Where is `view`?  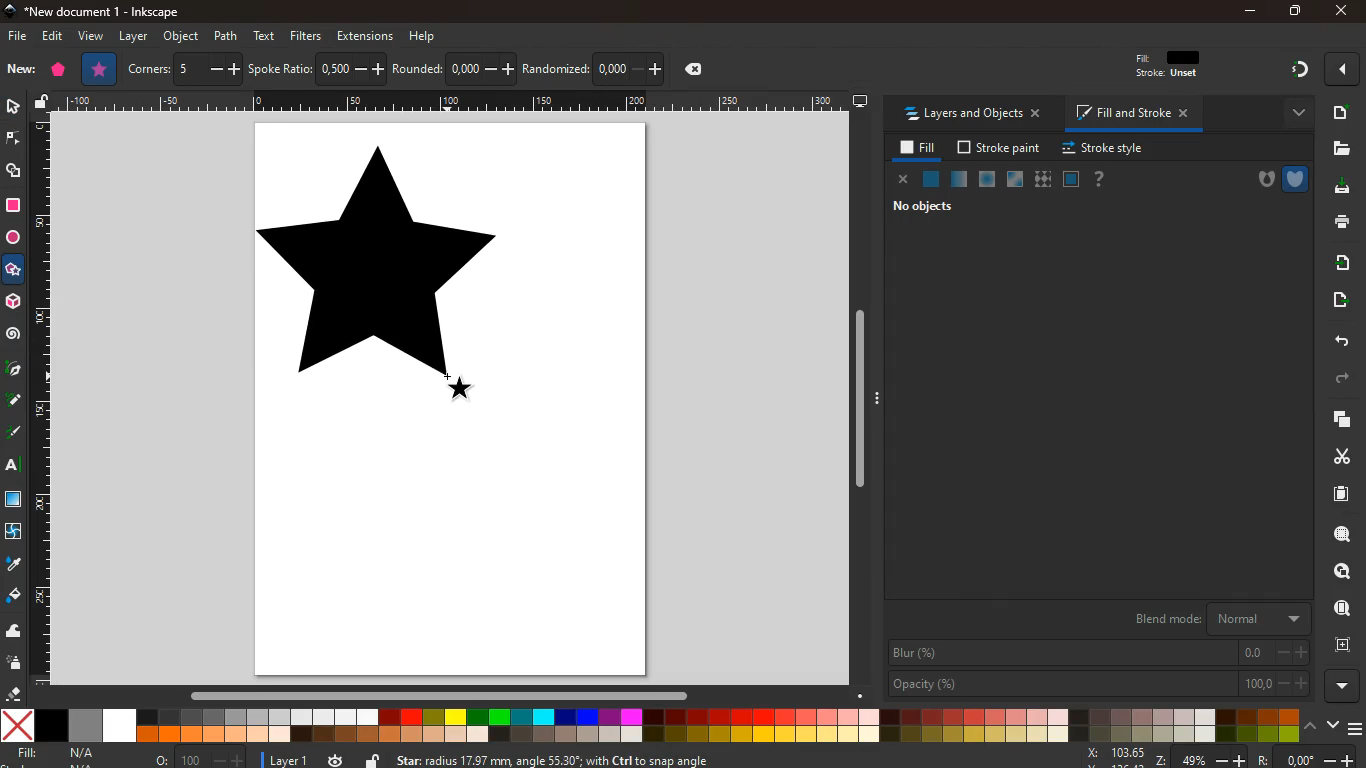 view is located at coordinates (93, 36).